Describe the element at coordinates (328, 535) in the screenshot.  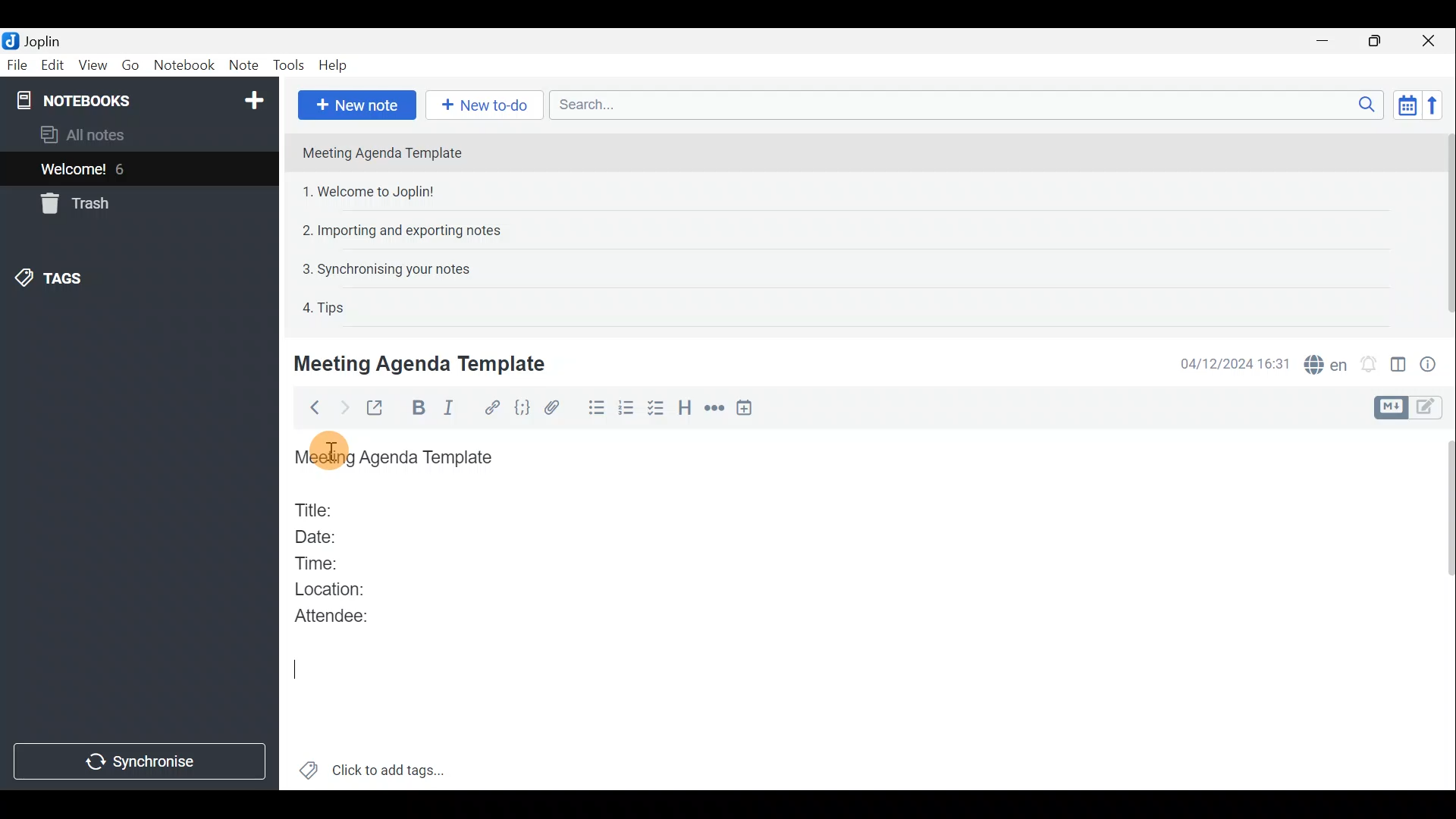
I see `Date:` at that location.